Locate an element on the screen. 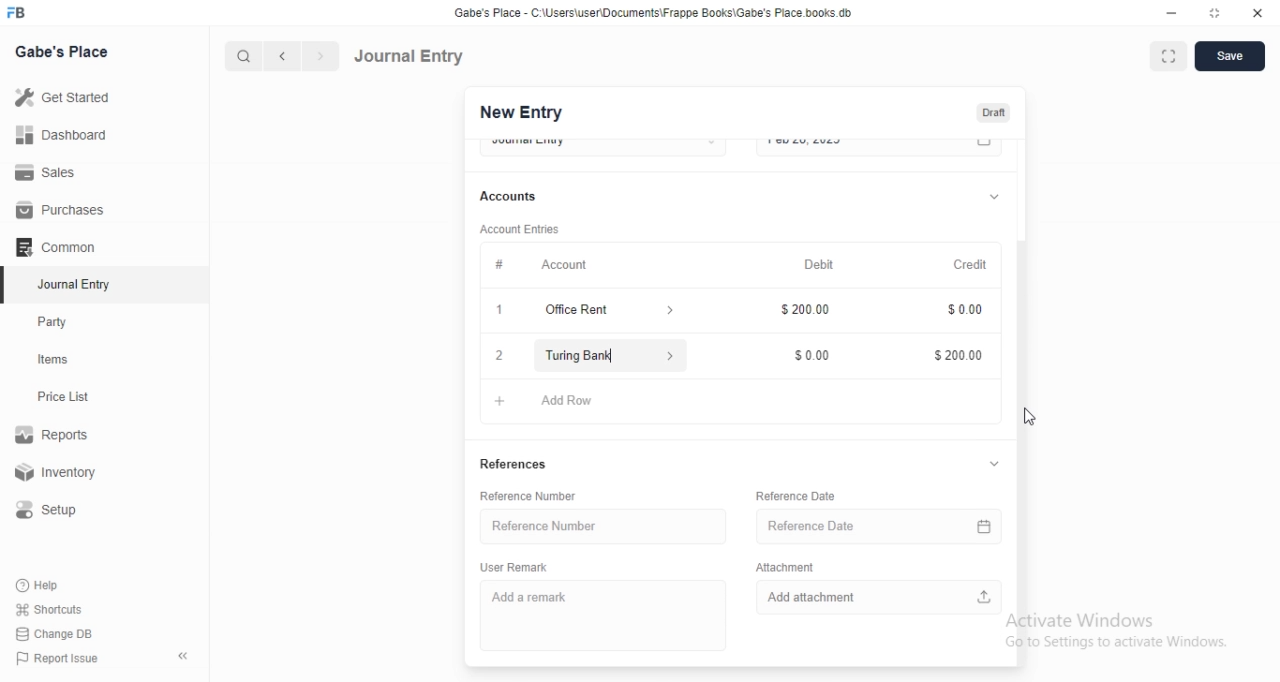 Image resolution: width=1280 pixels, height=682 pixels. Reference Date is located at coordinates (801, 492).